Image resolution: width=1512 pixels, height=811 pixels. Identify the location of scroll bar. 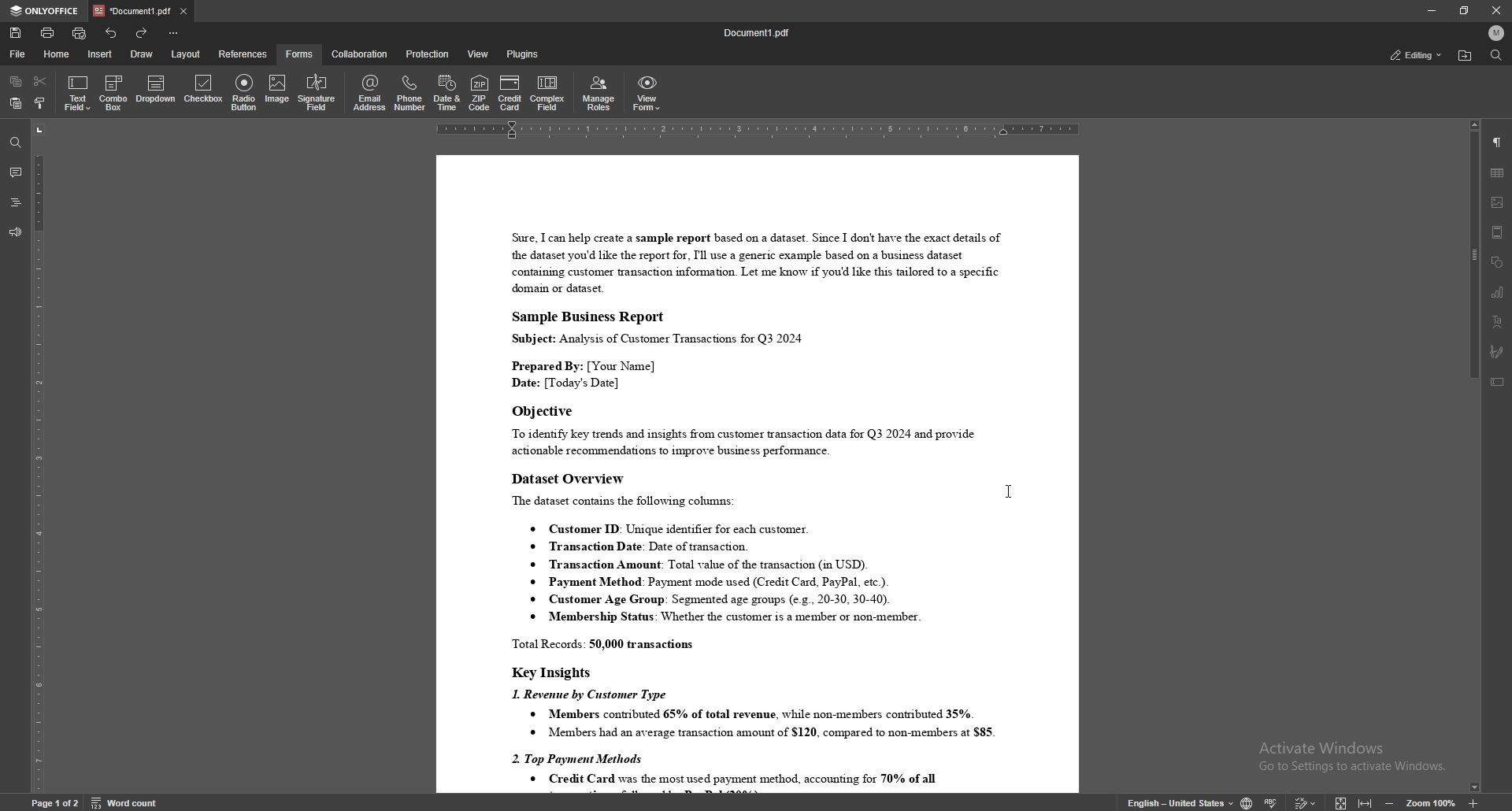
(1475, 454).